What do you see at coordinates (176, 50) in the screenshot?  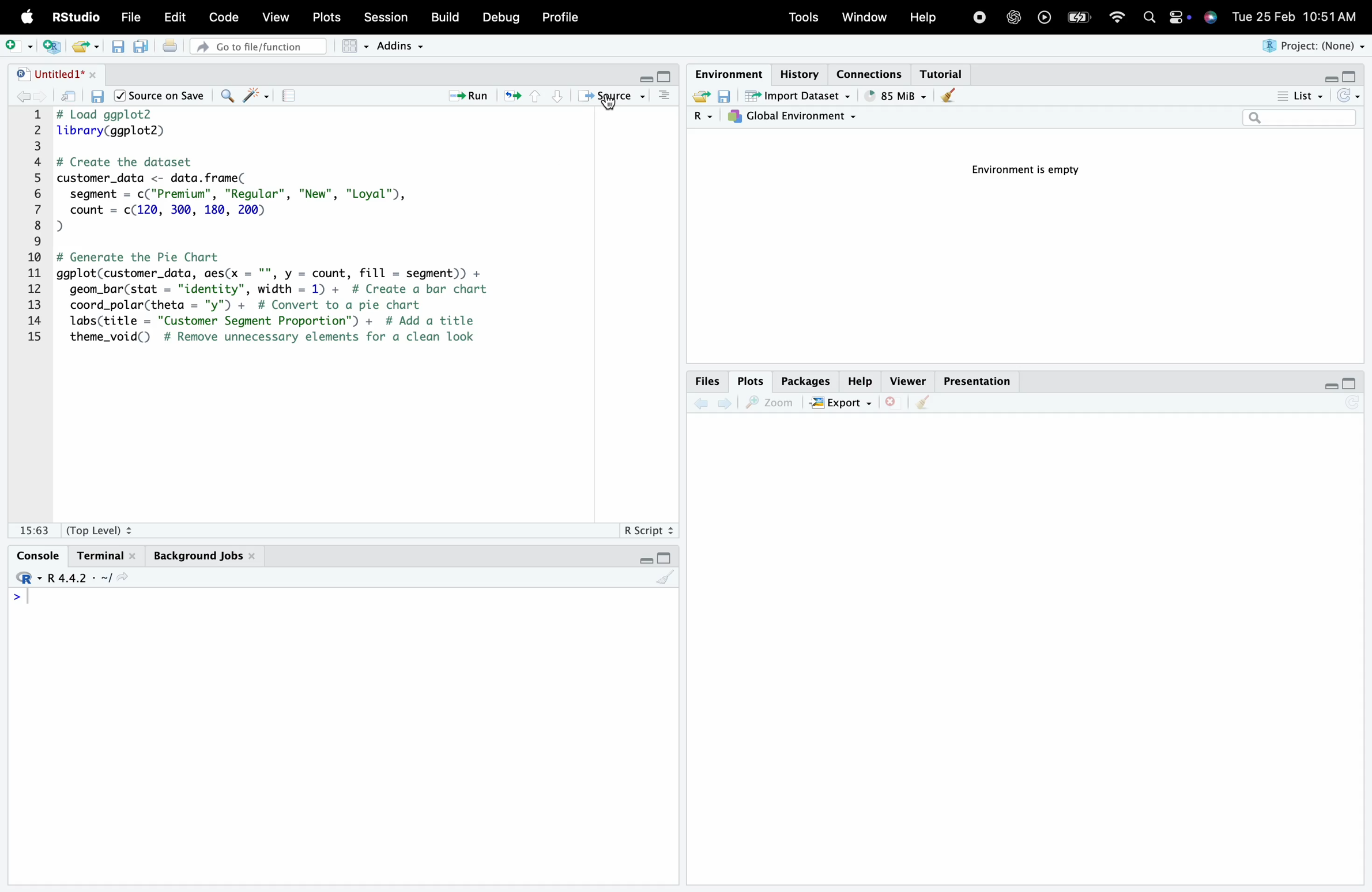 I see `print` at bounding box center [176, 50].